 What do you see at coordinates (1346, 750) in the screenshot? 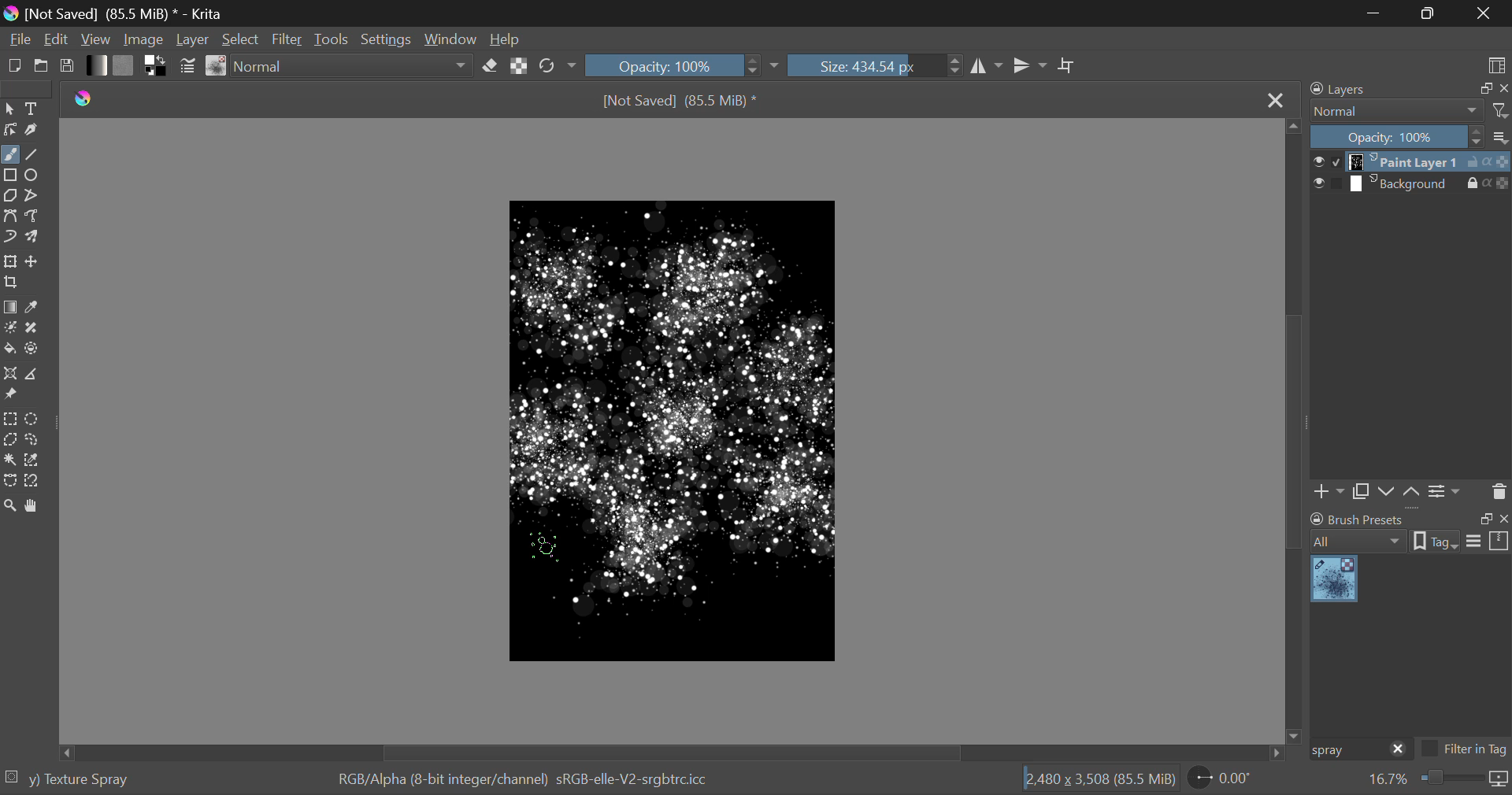
I see `Brush Preset Search: "spray"` at bounding box center [1346, 750].